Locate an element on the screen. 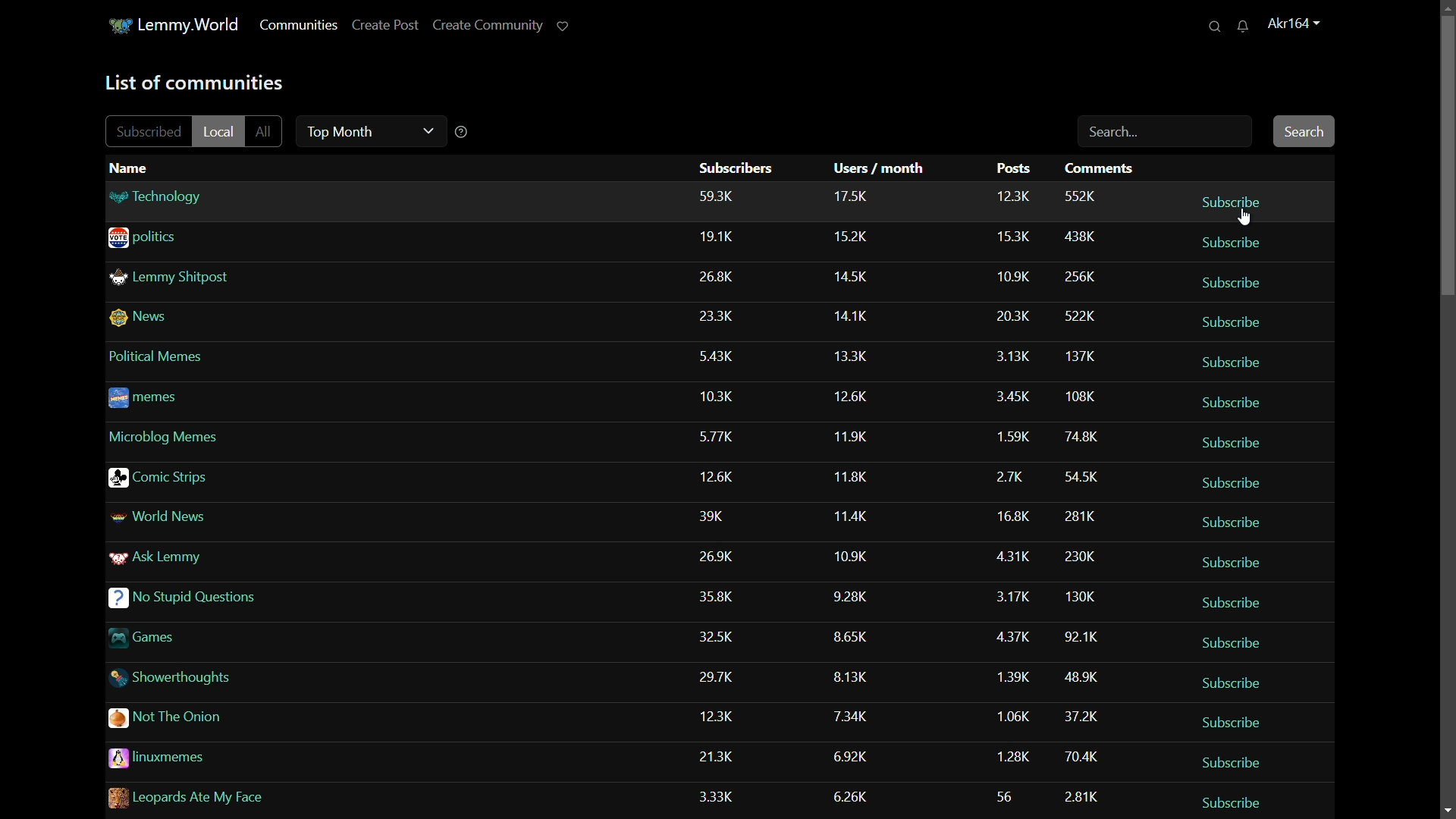  local is located at coordinates (220, 130).